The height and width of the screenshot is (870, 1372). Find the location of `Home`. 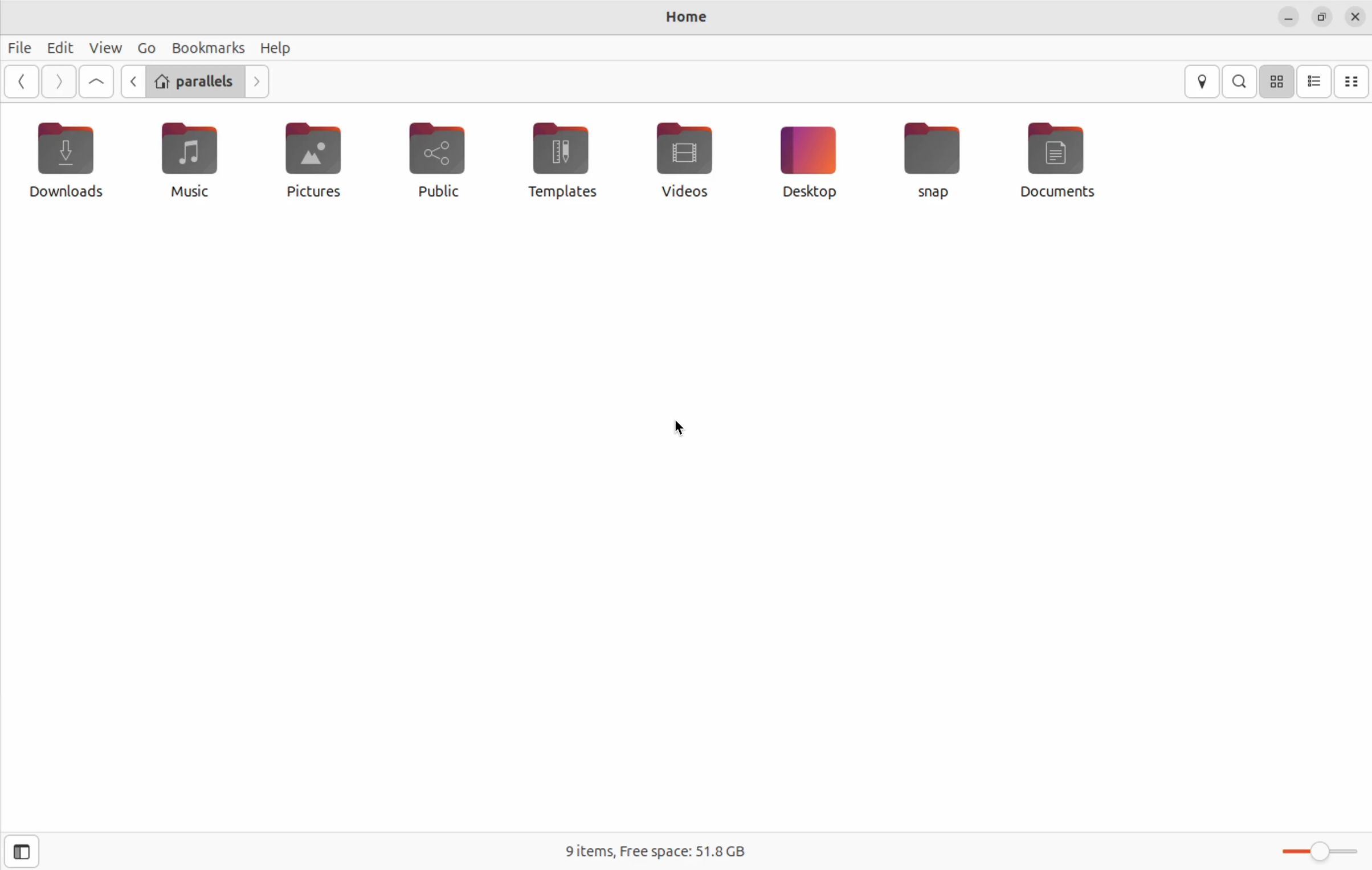

Home is located at coordinates (685, 19).